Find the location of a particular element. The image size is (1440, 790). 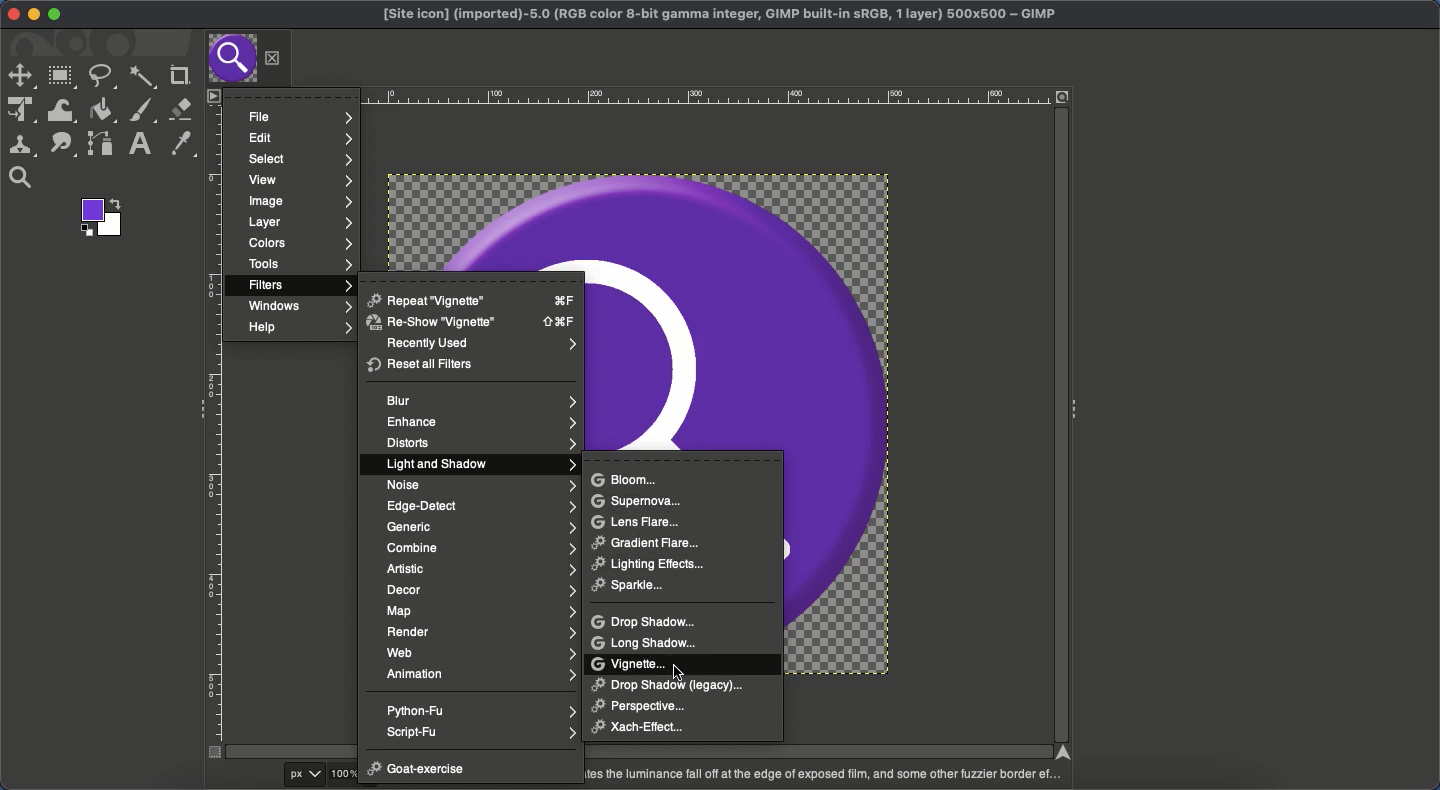

Colors is located at coordinates (297, 244).